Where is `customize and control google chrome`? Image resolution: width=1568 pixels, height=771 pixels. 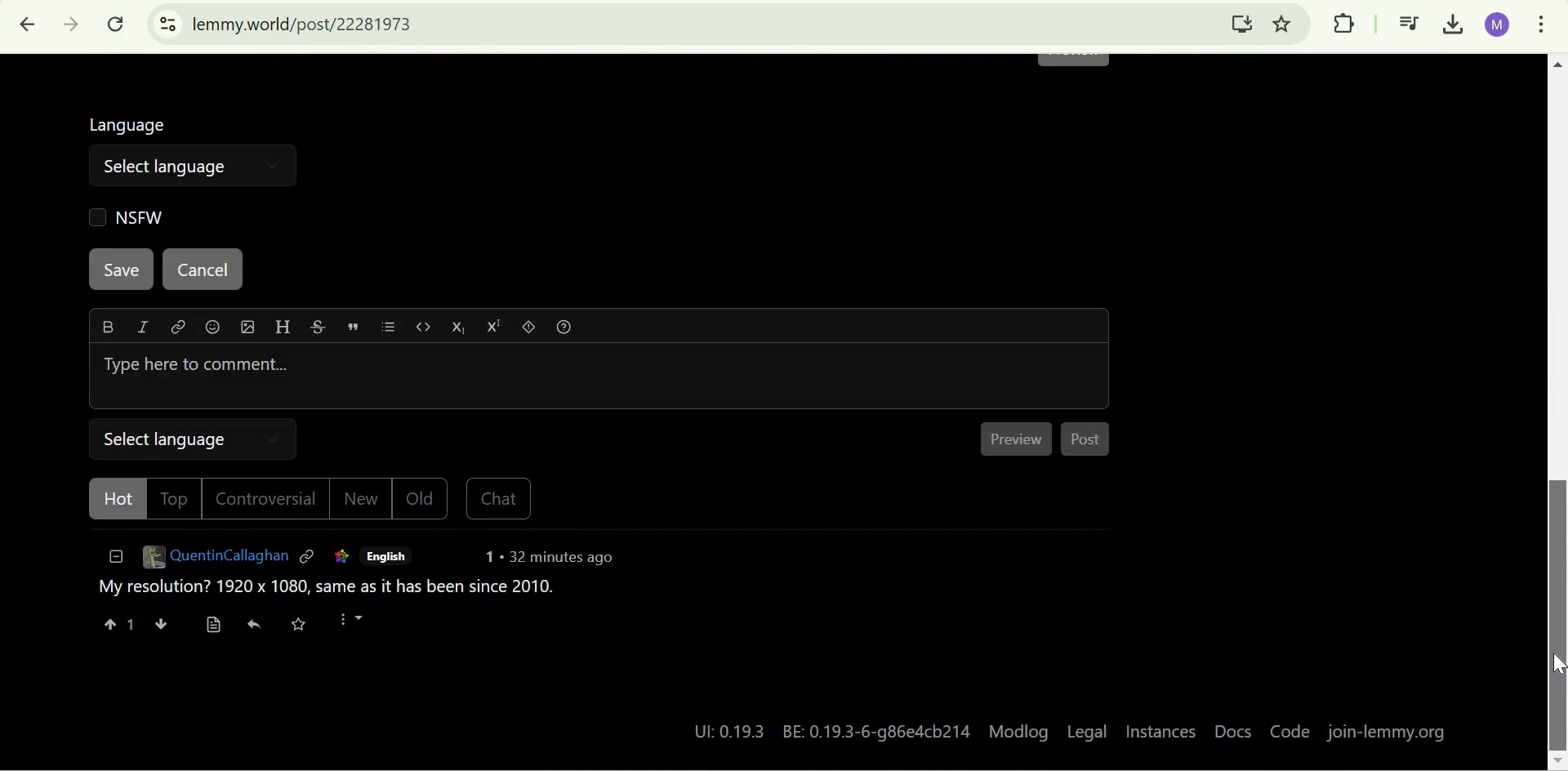 customize and control google chrome is located at coordinates (1541, 27).